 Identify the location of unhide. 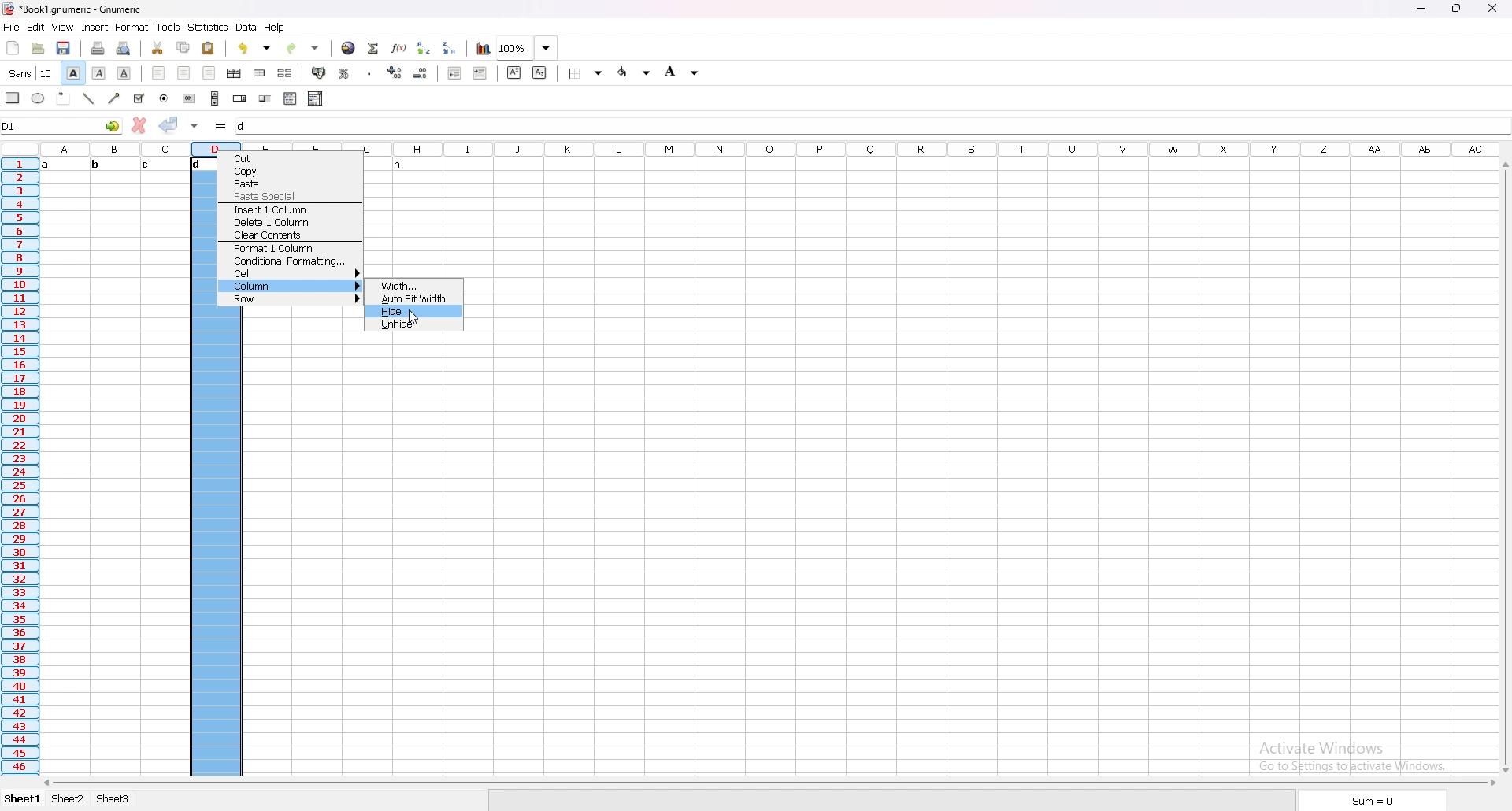
(414, 325).